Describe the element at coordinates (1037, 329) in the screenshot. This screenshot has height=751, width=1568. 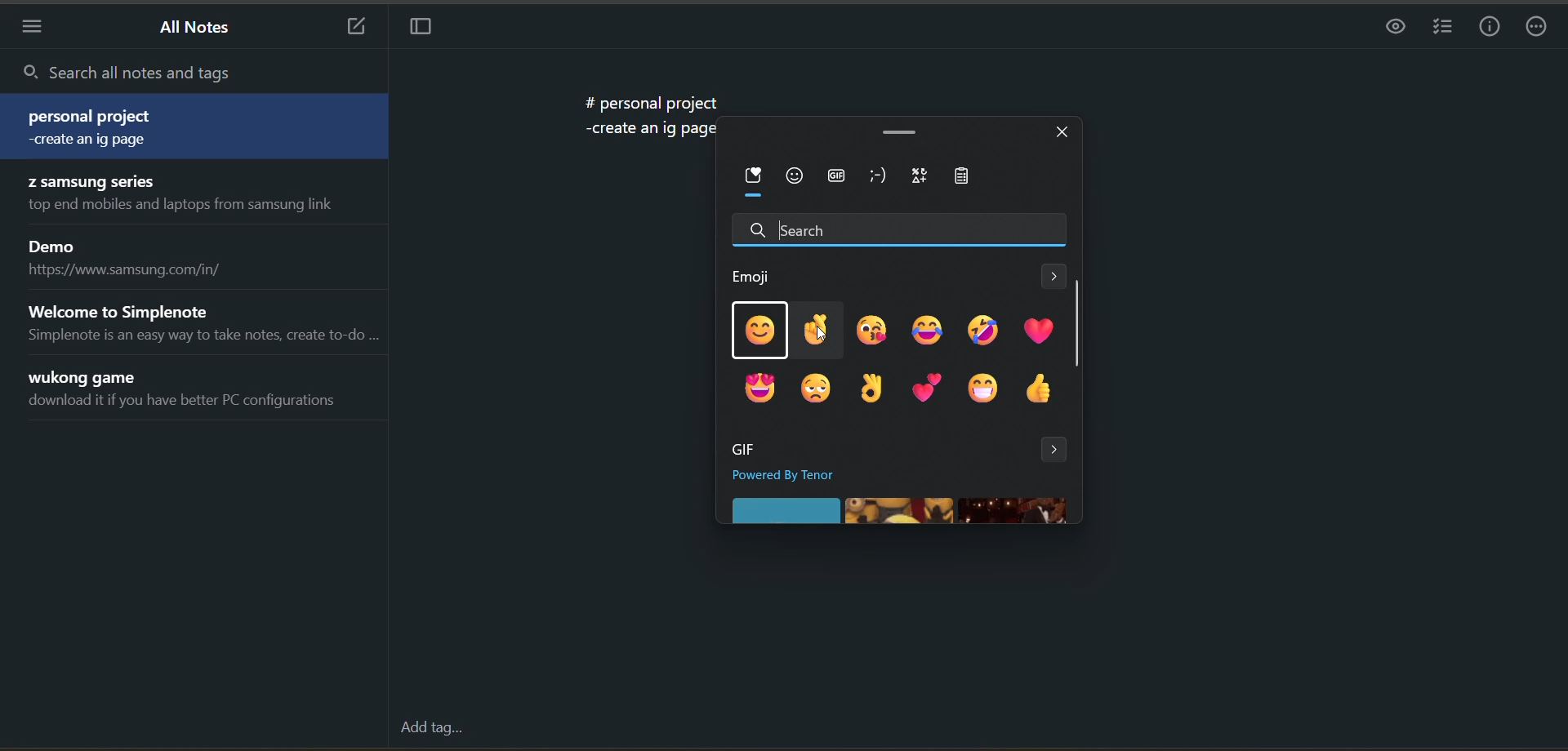
I see `emoji 6` at that location.